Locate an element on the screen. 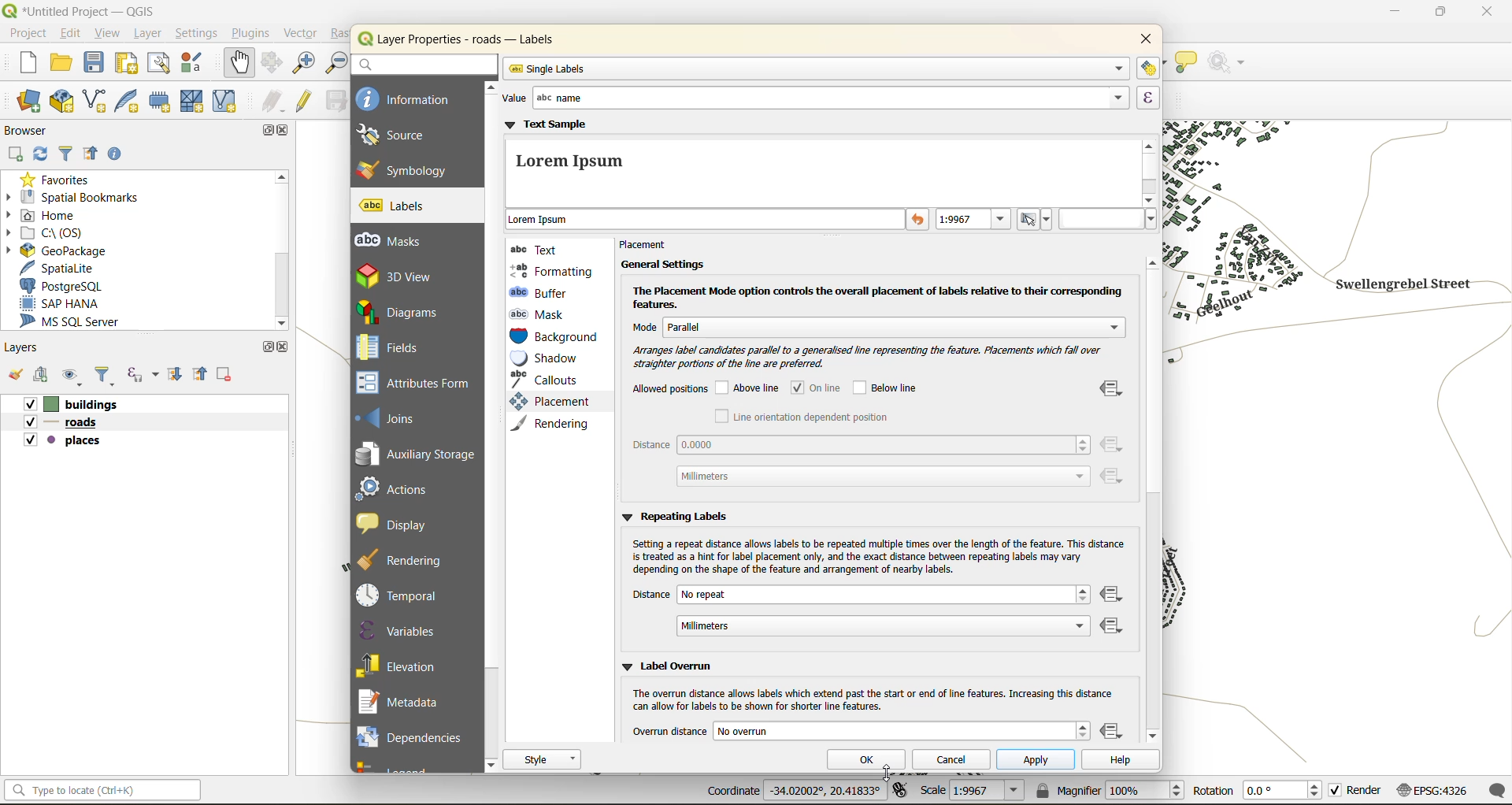 This screenshot has width=1512, height=805. preview text at specific map scale is located at coordinates (975, 221).